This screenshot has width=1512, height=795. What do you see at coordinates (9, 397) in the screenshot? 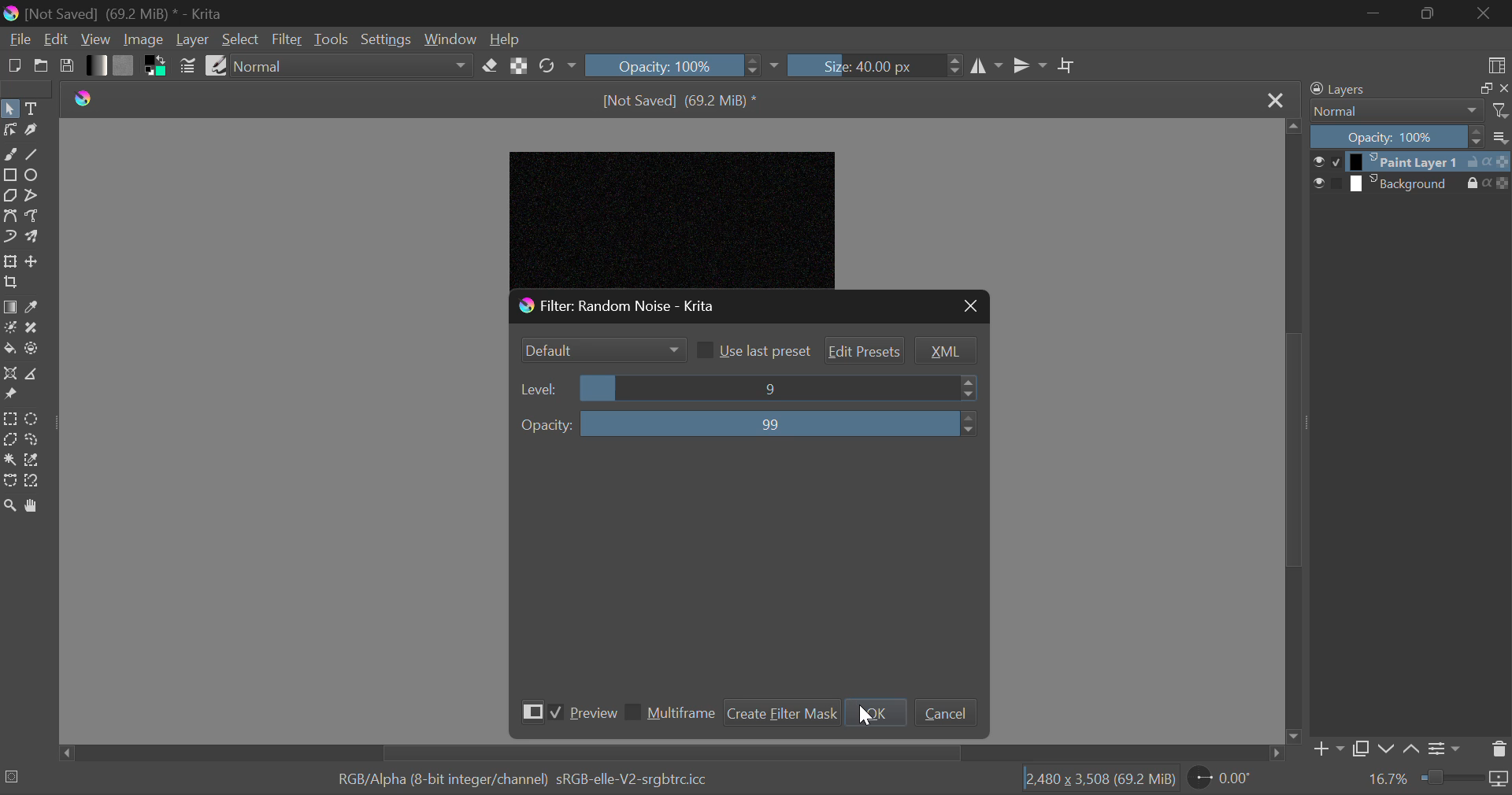
I see `Reference Images` at bounding box center [9, 397].